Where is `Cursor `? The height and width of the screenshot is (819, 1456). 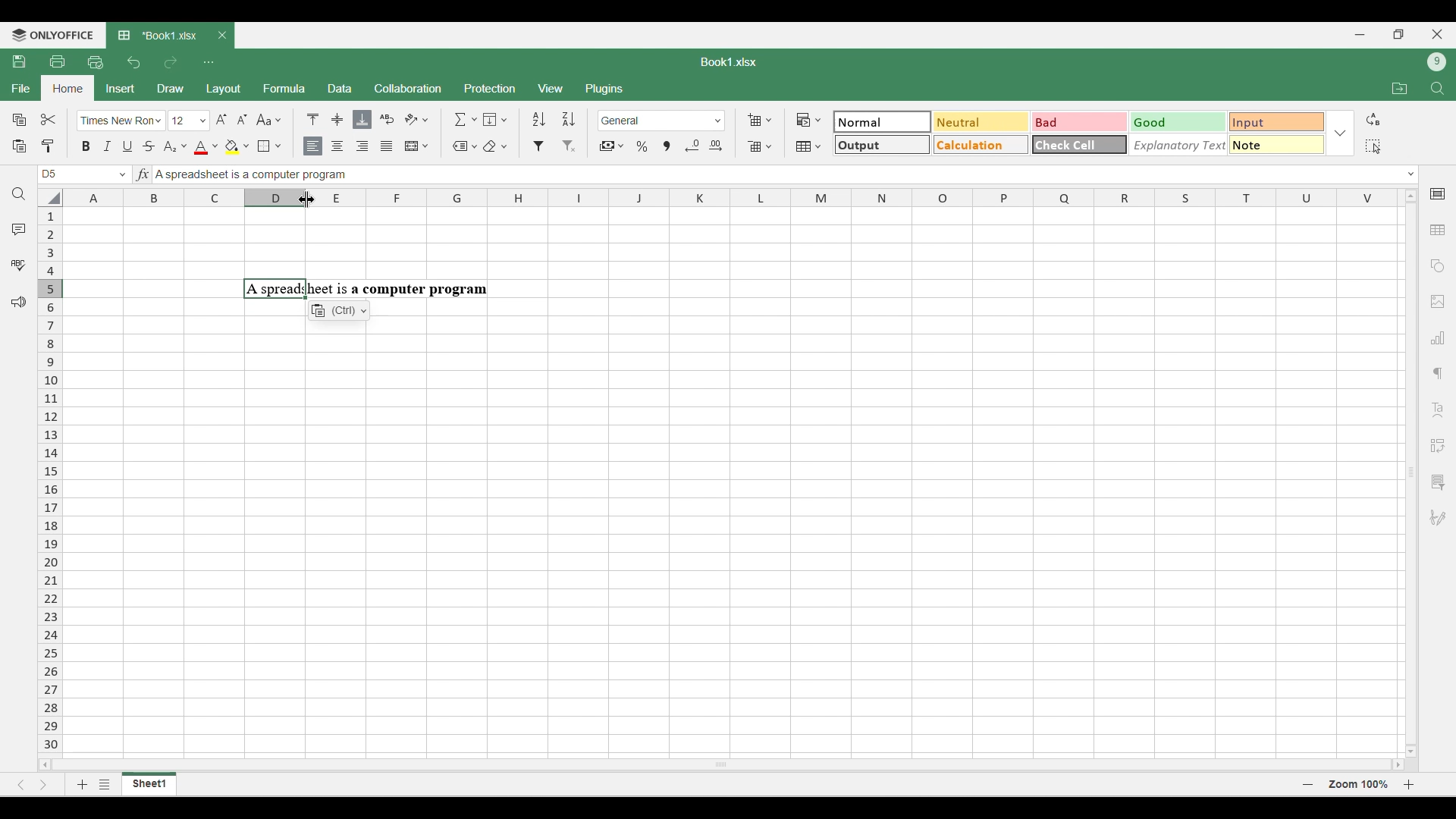 Cursor  is located at coordinates (307, 199).